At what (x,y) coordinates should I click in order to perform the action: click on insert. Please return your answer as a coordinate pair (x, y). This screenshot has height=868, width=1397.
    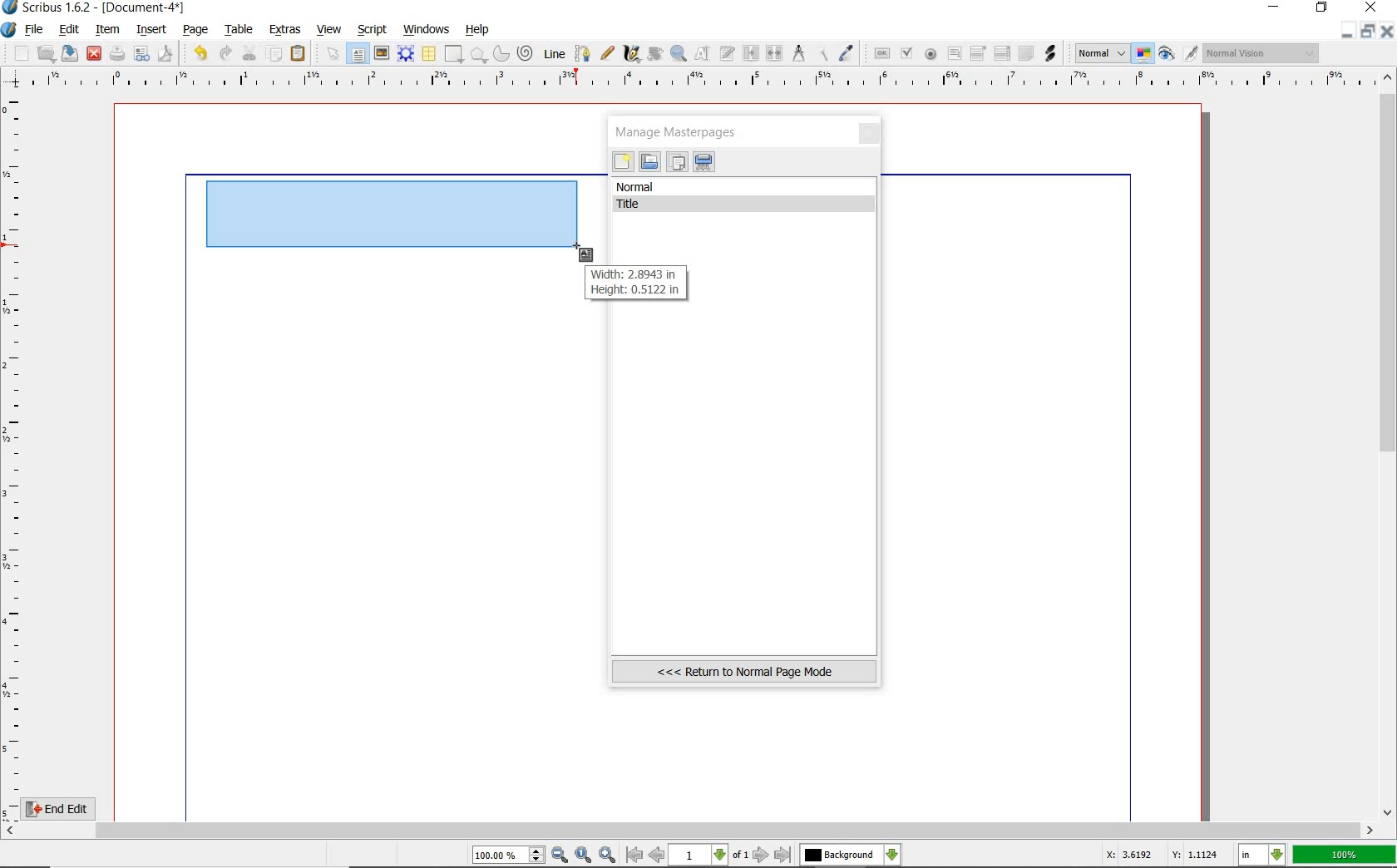
    Looking at the image, I should click on (151, 29).